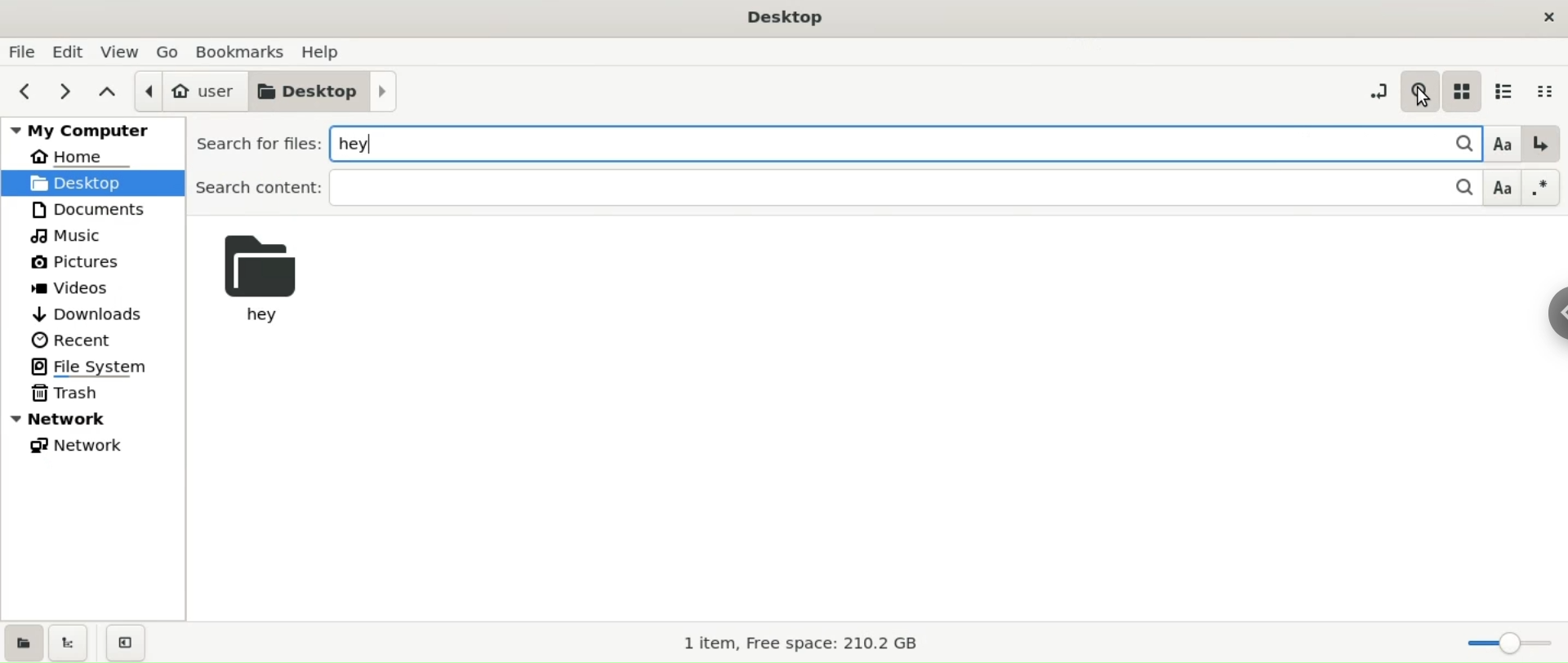 This screenshot has width=1568, height=663. What do you see at coordinates (183, 91) in the screenshot?
I see `user` at bounding box center [183, 91].